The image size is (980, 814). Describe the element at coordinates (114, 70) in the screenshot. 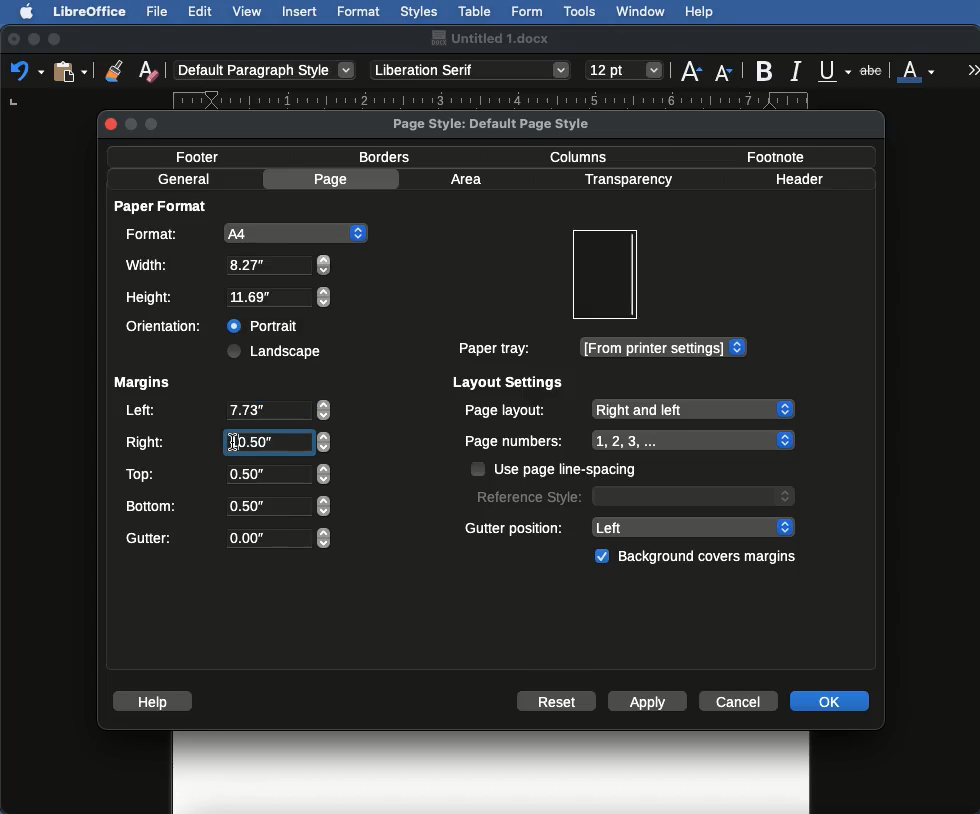

I see `Clone formatting` at that location.